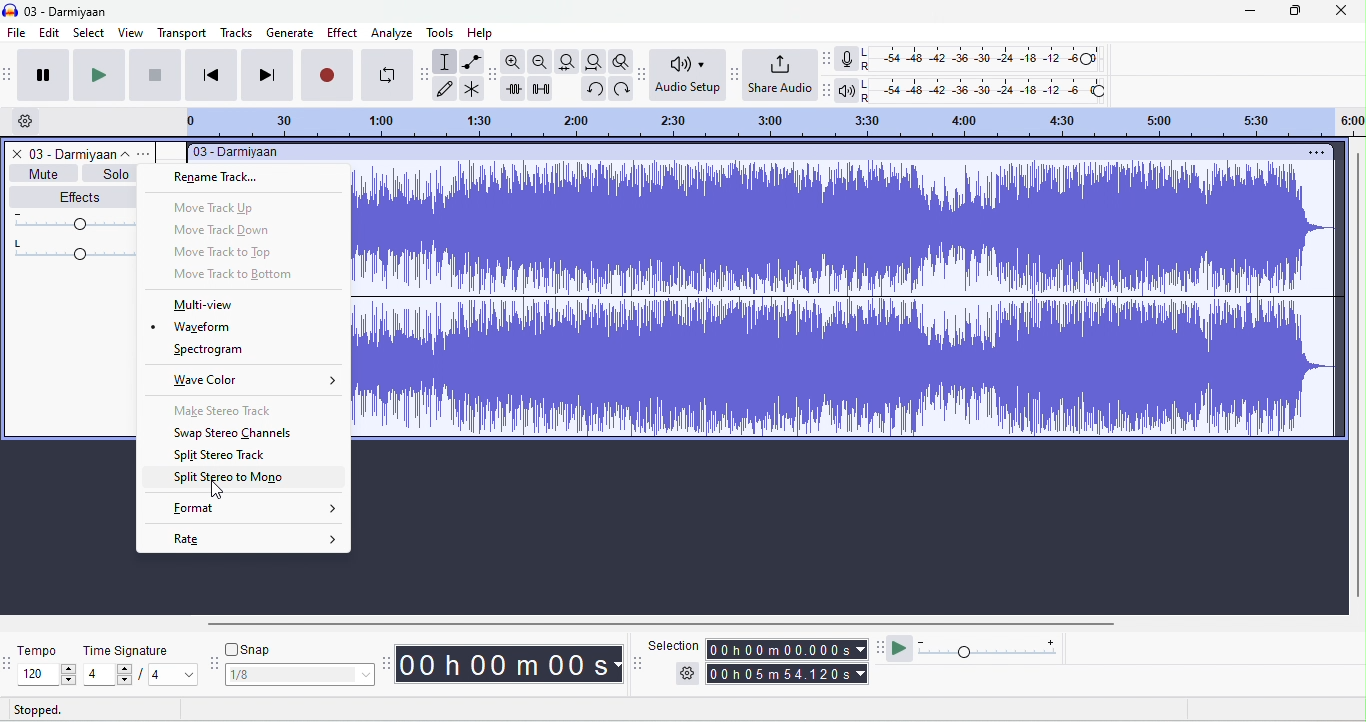 The image size is (1366, 722). I want to click on audacity audio transport toolbar, so click(9, 74).